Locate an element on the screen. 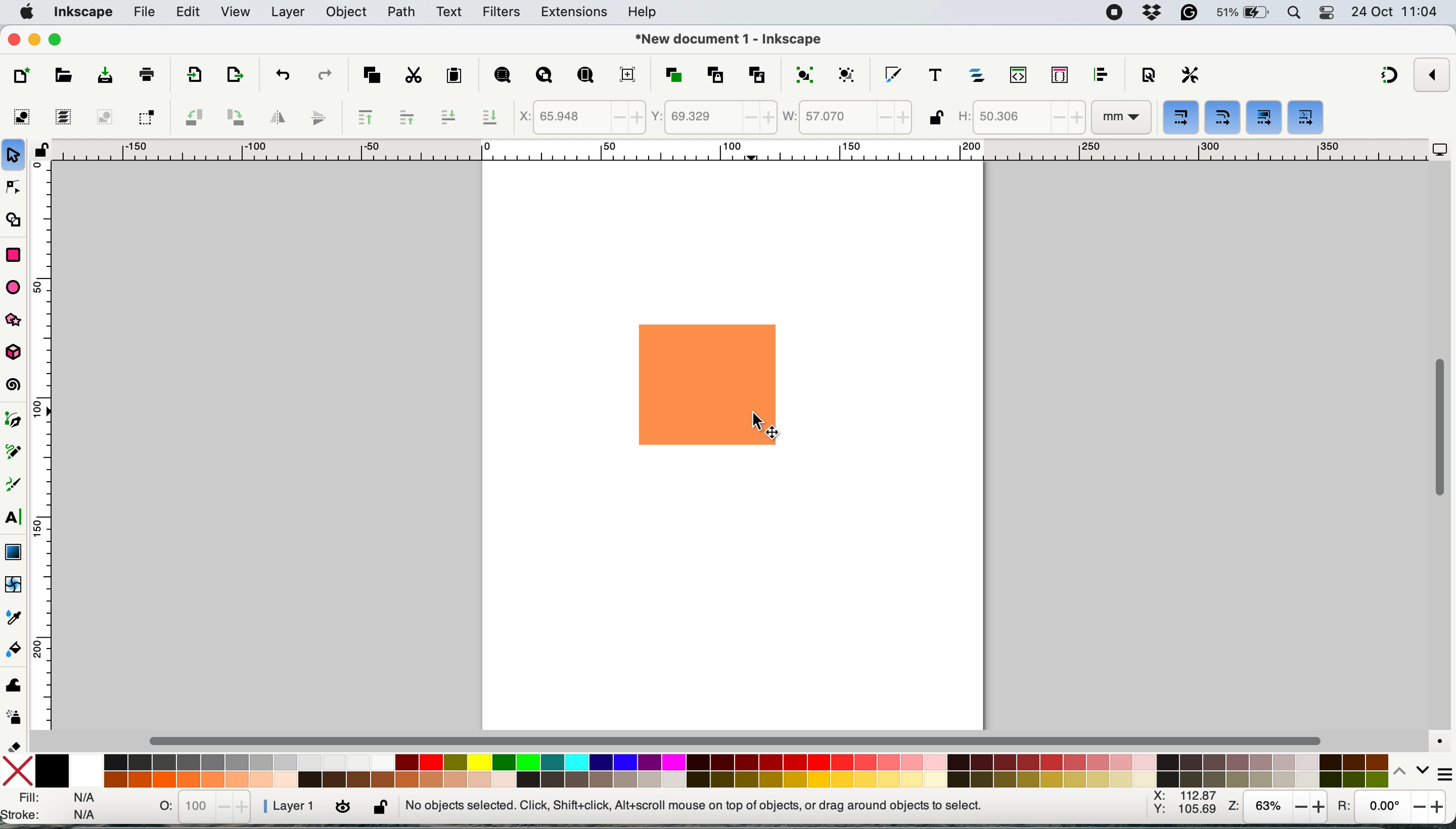 Image resolution: width=1456 pixels, height=829 pixels. move patterns is located at coordinates (1305, 118).